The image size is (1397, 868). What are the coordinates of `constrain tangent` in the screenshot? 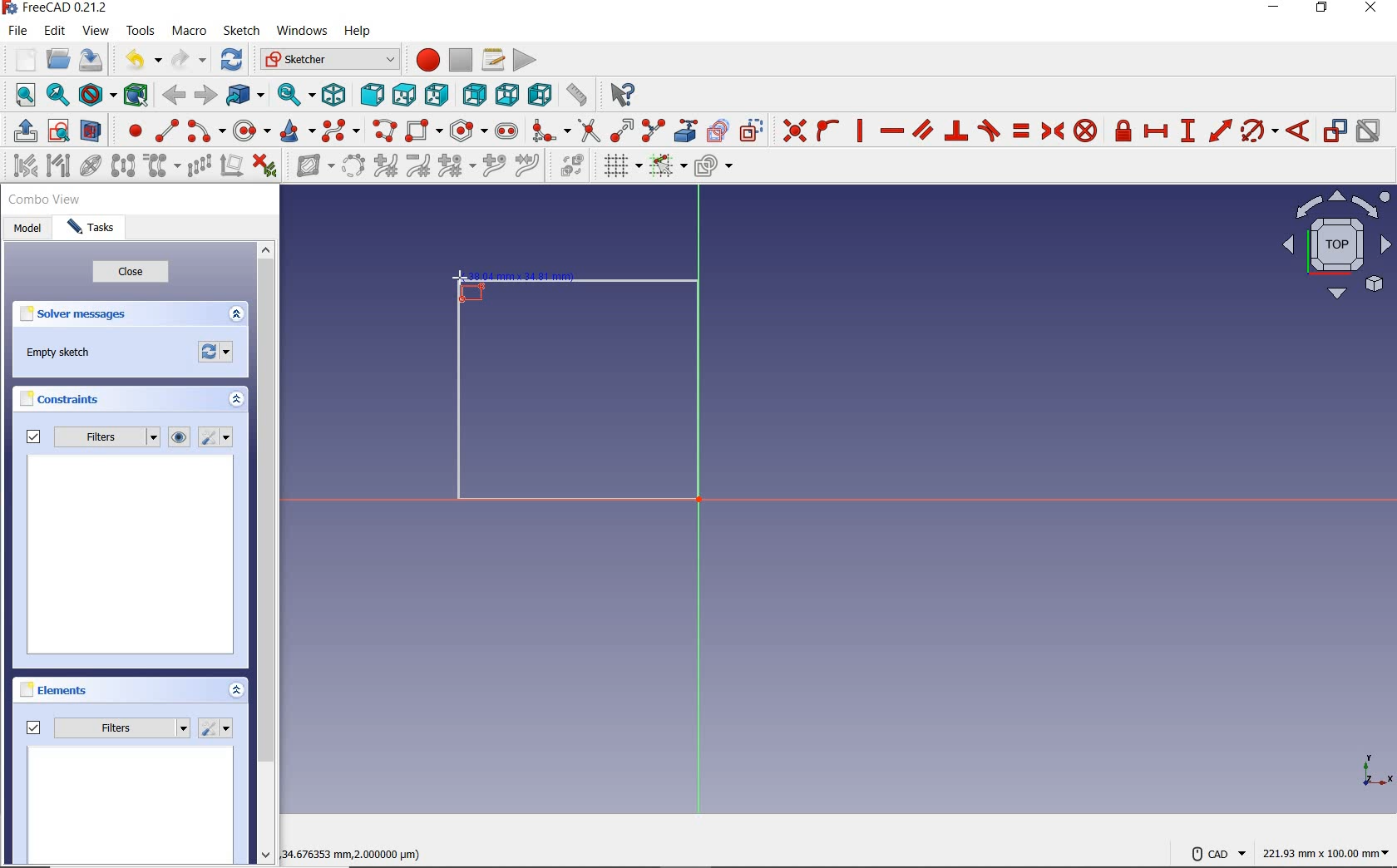 It's located at (990, 131).